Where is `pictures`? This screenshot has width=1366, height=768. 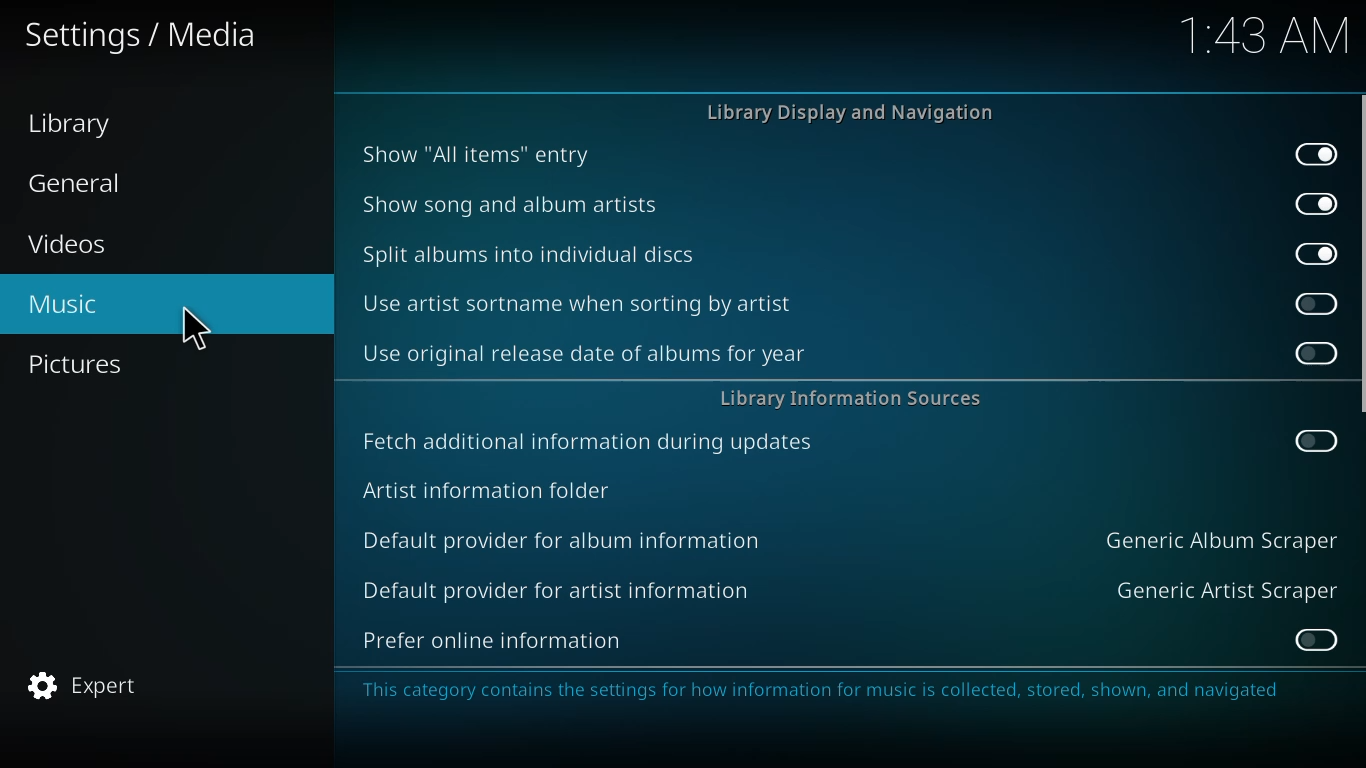
pictures is located at coordinates (78, 362).